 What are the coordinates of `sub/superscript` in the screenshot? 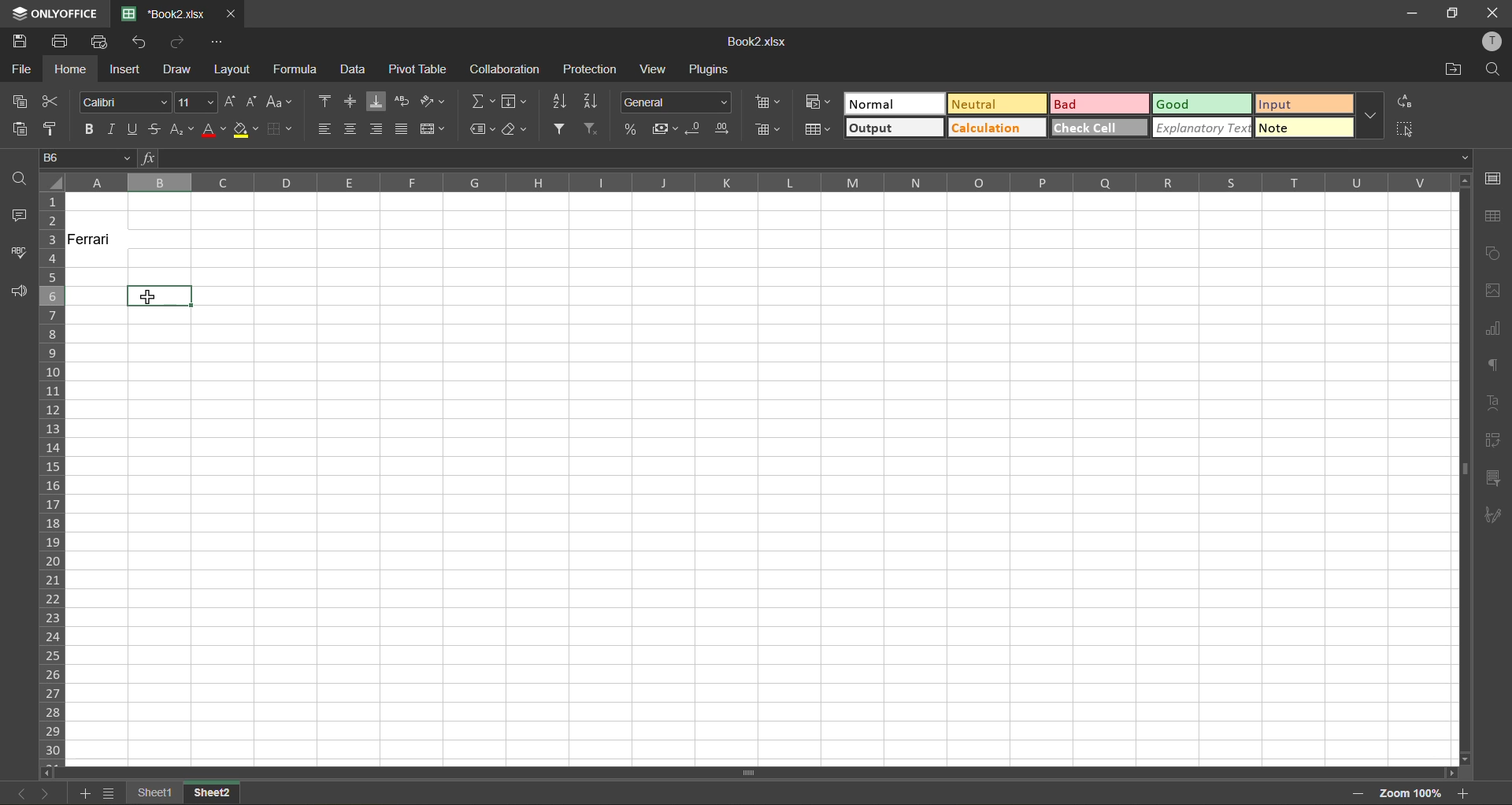 It's located at (182, 131).